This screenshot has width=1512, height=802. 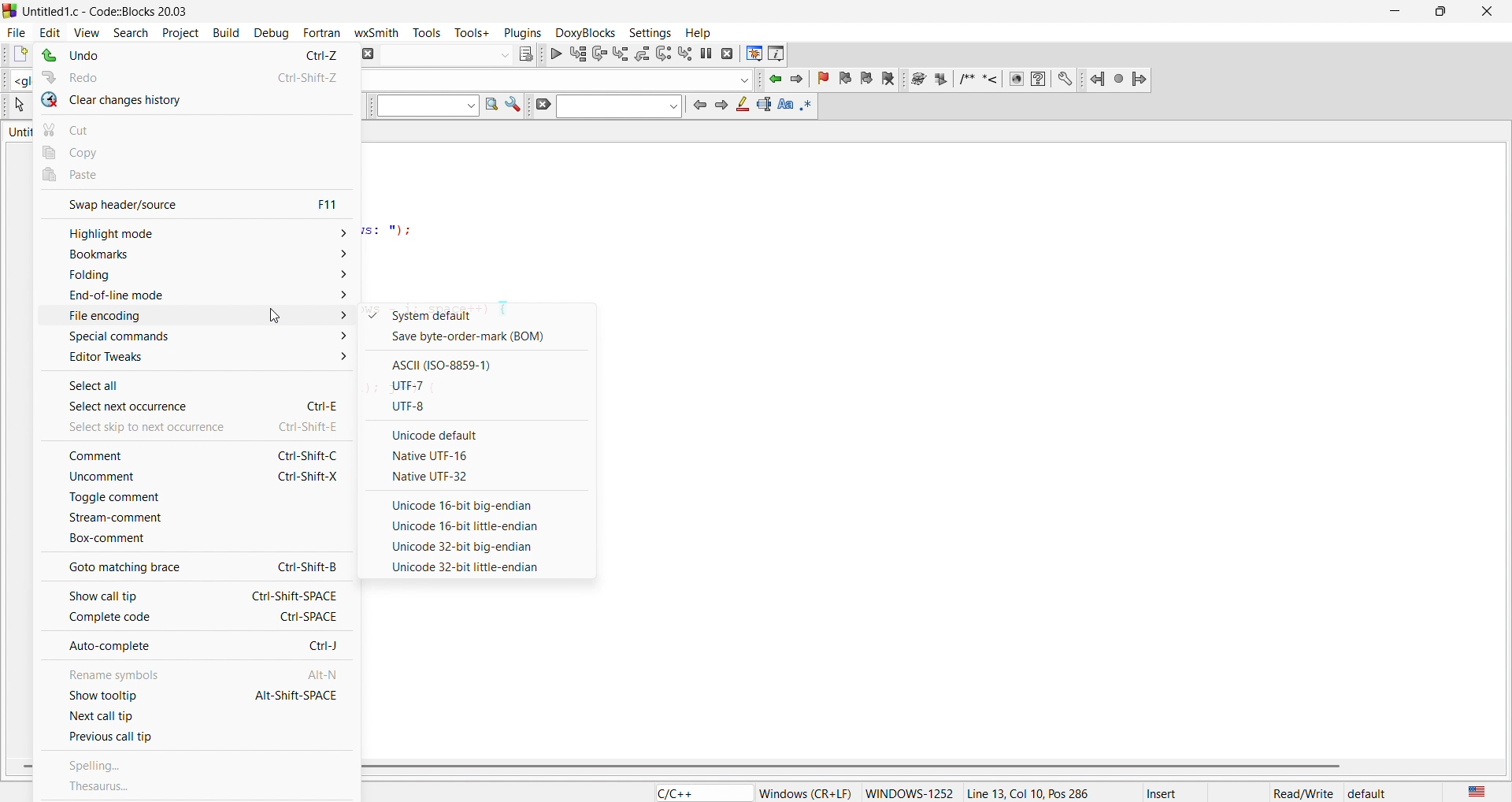 I want to click on insert line, so click(x=990, y=81).